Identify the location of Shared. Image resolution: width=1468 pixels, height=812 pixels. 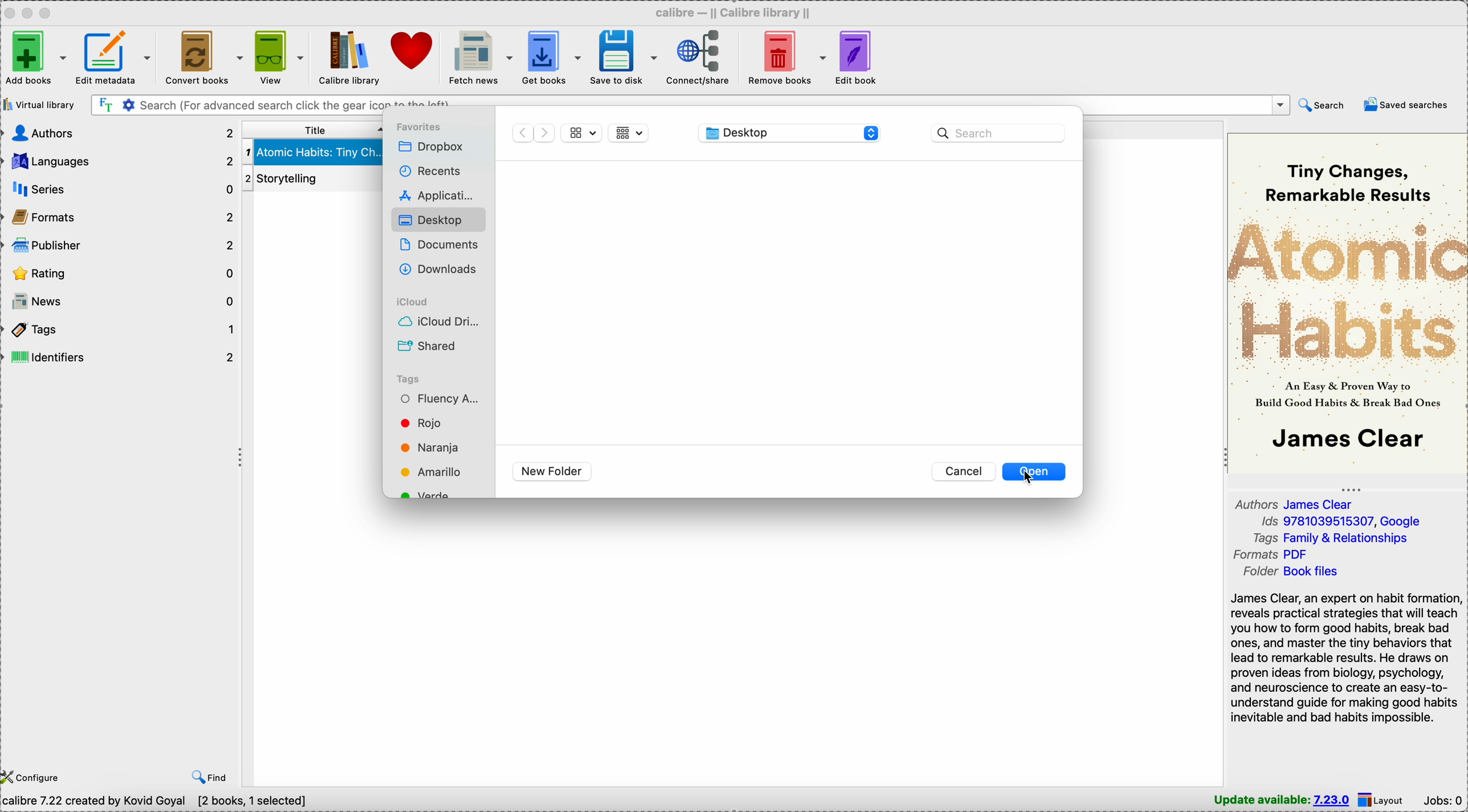
(426, 346).